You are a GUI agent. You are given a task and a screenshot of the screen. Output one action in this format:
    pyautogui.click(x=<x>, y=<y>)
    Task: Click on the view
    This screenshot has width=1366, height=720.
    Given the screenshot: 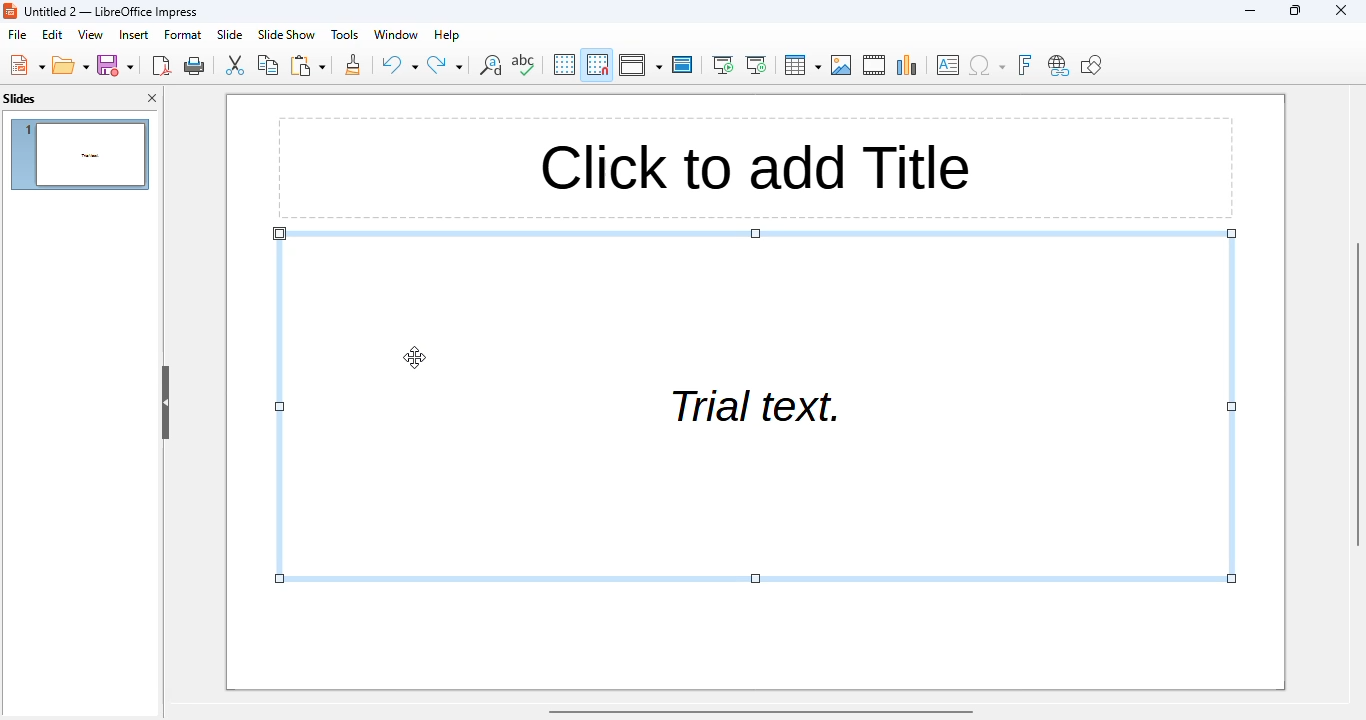 What is the action you would take?
    pyautogui.click(x=92, y=35)
    